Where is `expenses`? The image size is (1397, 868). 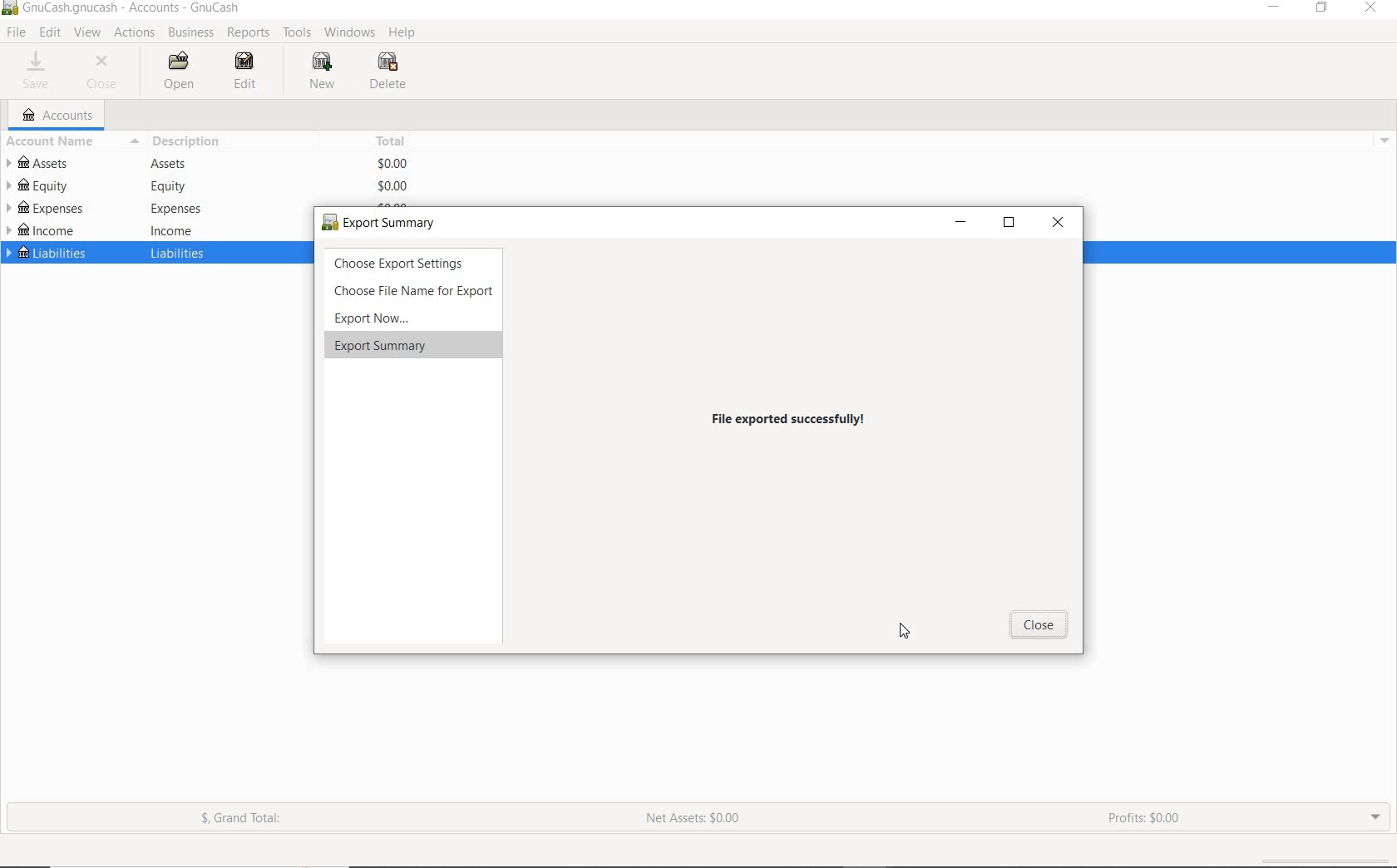 expenses is located at coordinates (174, 209).